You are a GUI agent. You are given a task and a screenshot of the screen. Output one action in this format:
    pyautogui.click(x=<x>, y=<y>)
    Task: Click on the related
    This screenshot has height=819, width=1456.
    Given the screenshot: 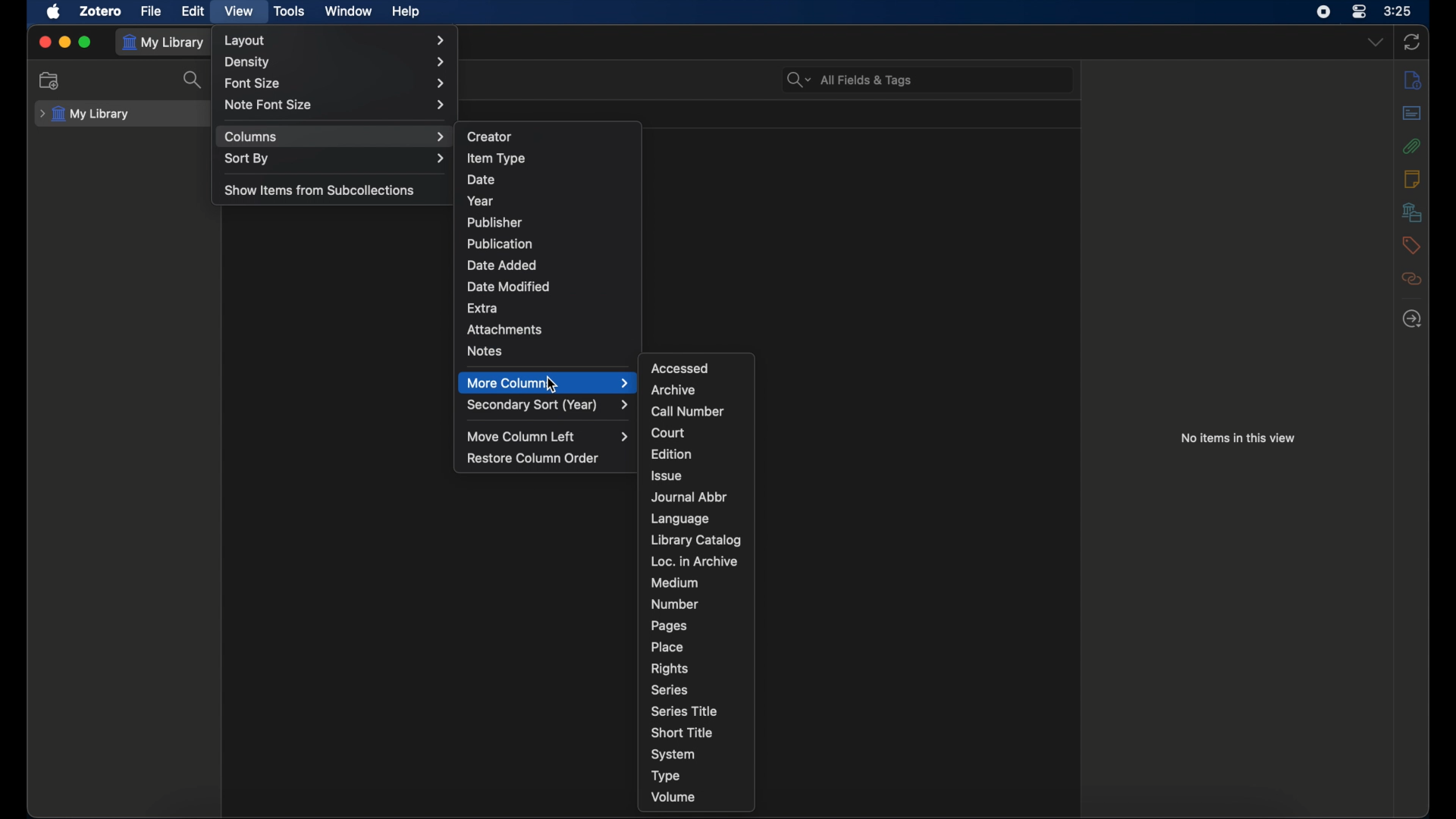 What is the action you would take?
    pyautogui.click(x=1414, y=278)
    